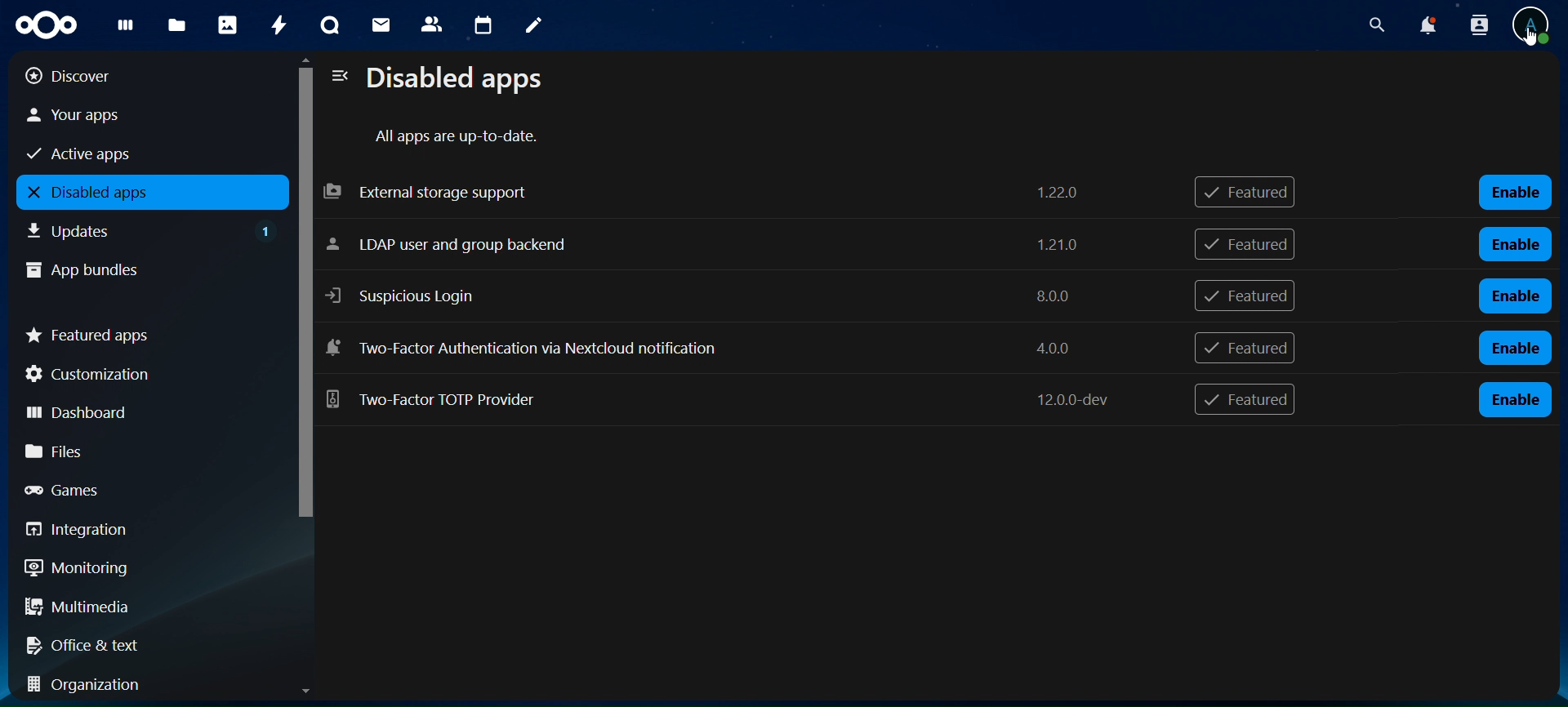 The width and height of the screenshot is (1568, 707). What do you see at coordinates (131, 152) in the screenshot?
I see `active apps` at bounding box center [131, 152].